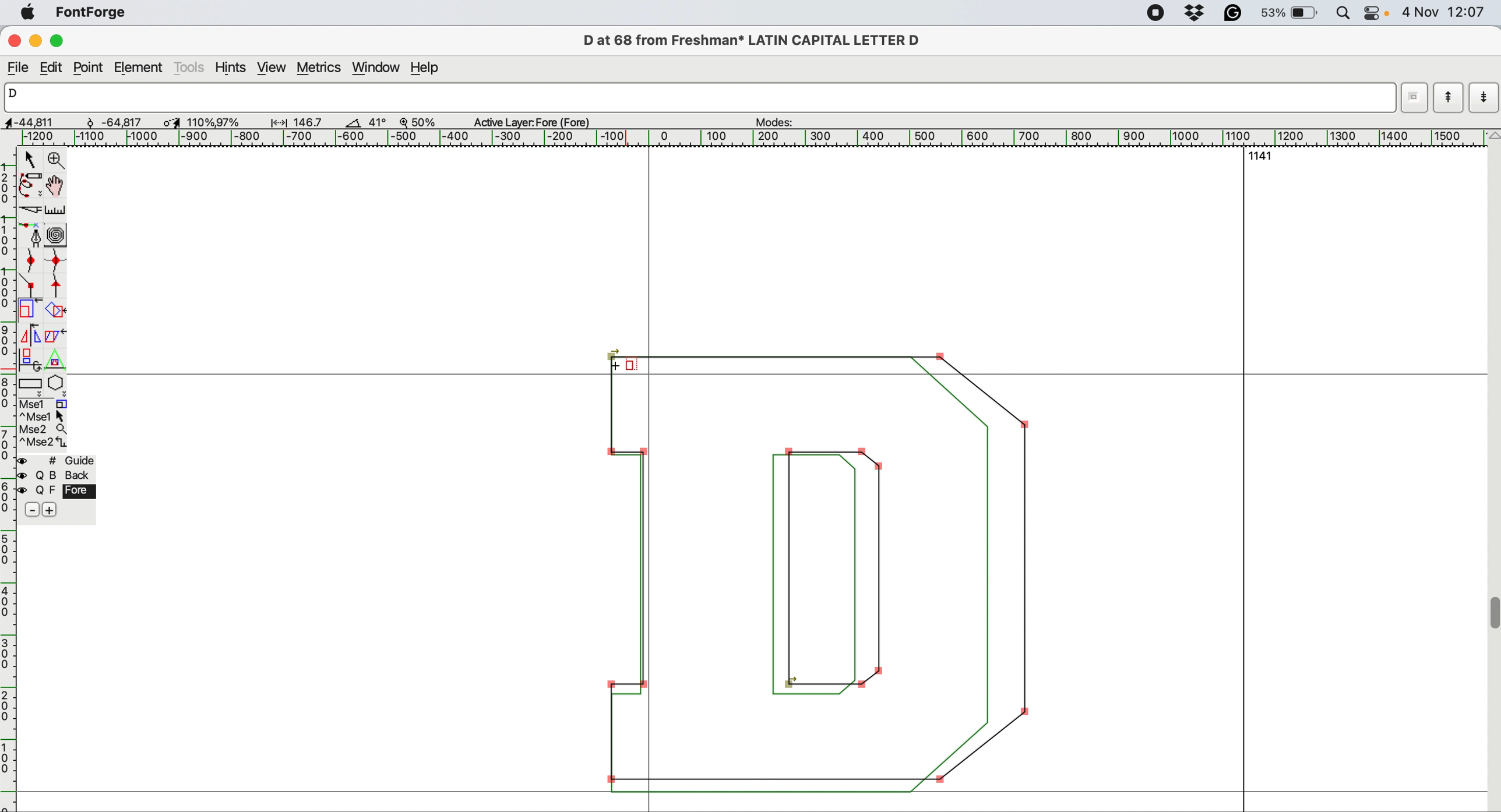  I want to click on draw by hand, so click(56, 187).